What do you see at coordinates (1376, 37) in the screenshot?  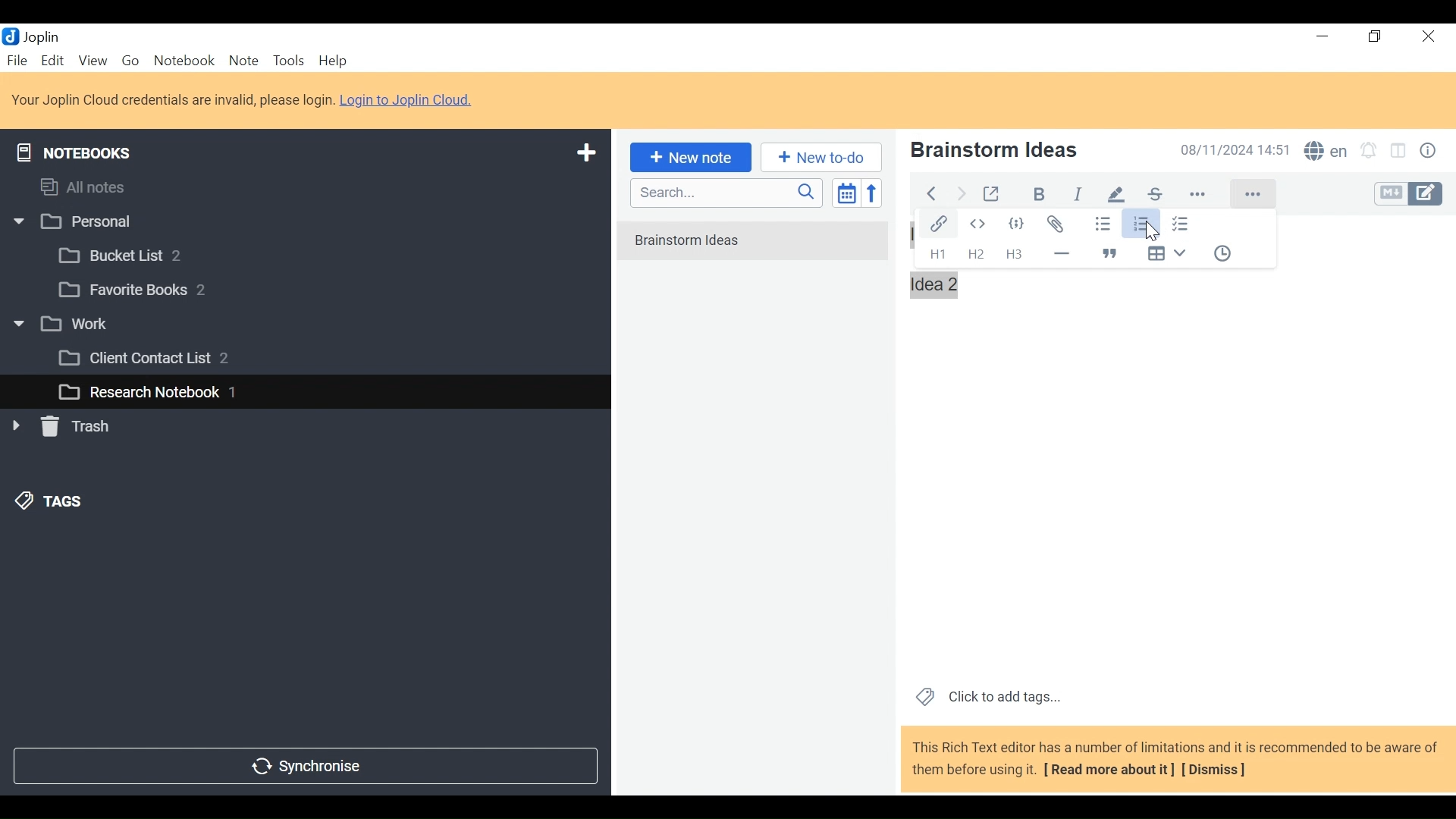 I see `Restore` at bounding box center [1376, 37].